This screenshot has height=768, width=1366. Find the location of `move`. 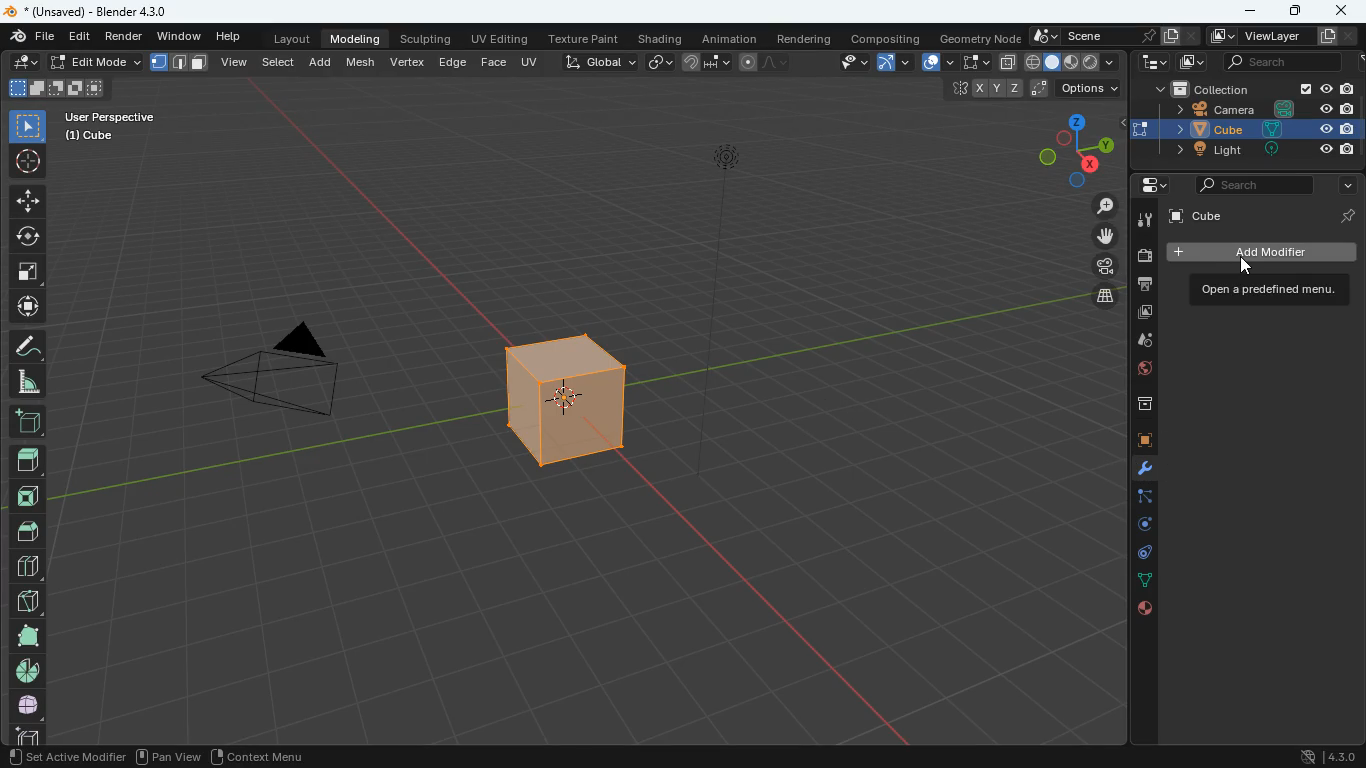

move is located at coordinates (1101, 237).